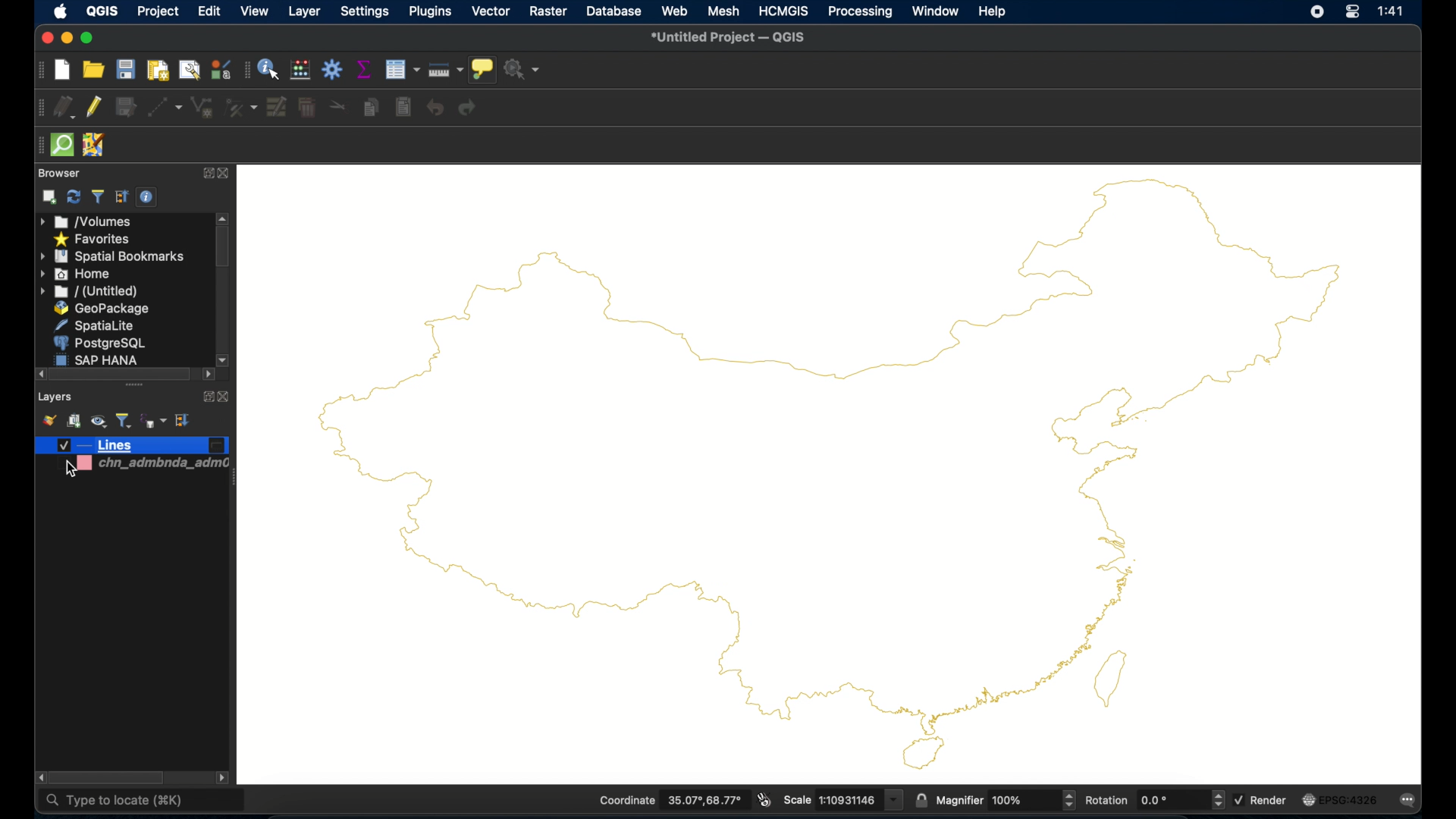 Image resolution: width=1456 pixels, height=819 pixels. I want to click on digitizing toolbar, so click(40, 108).